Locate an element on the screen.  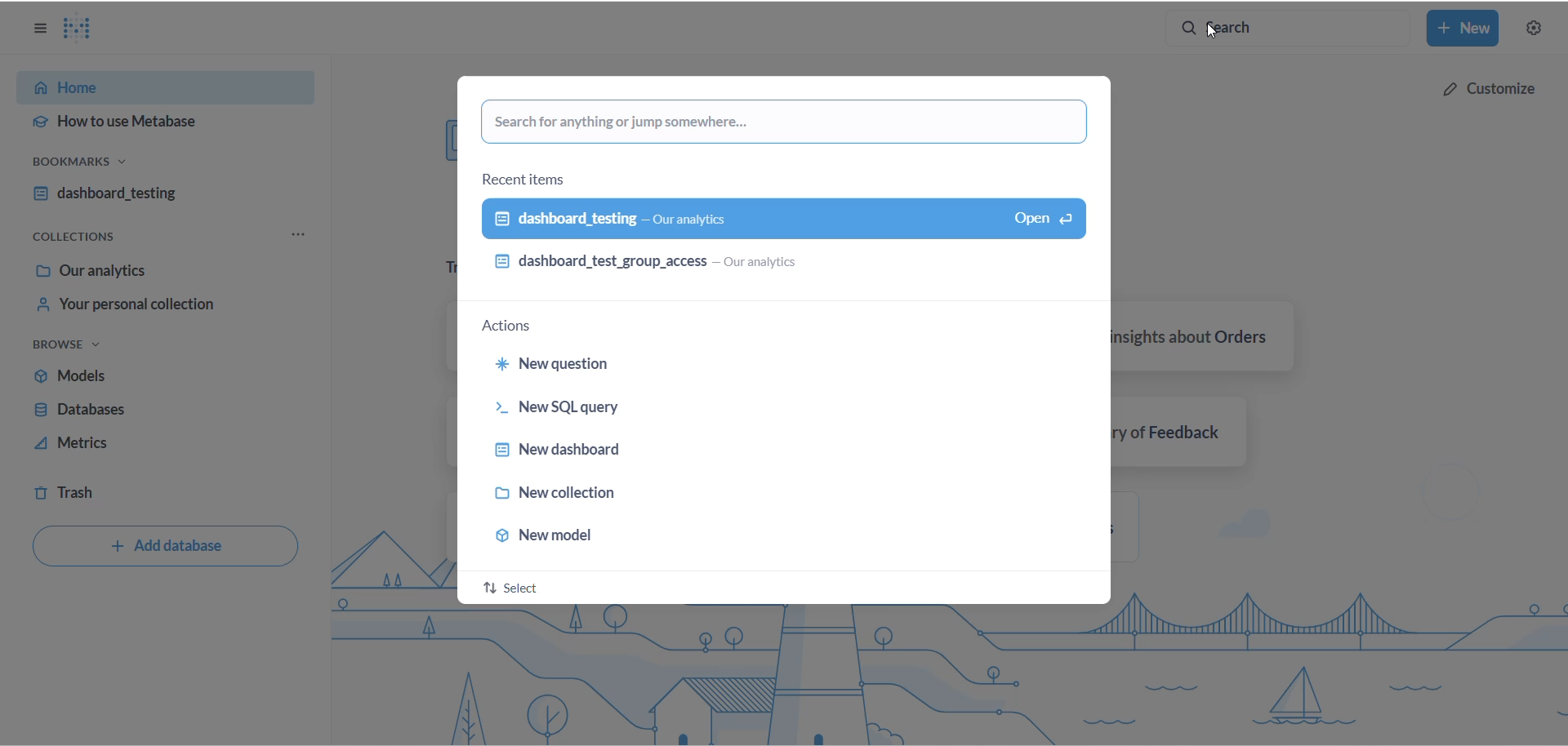
recent items  is located at coordinates (521, 179).